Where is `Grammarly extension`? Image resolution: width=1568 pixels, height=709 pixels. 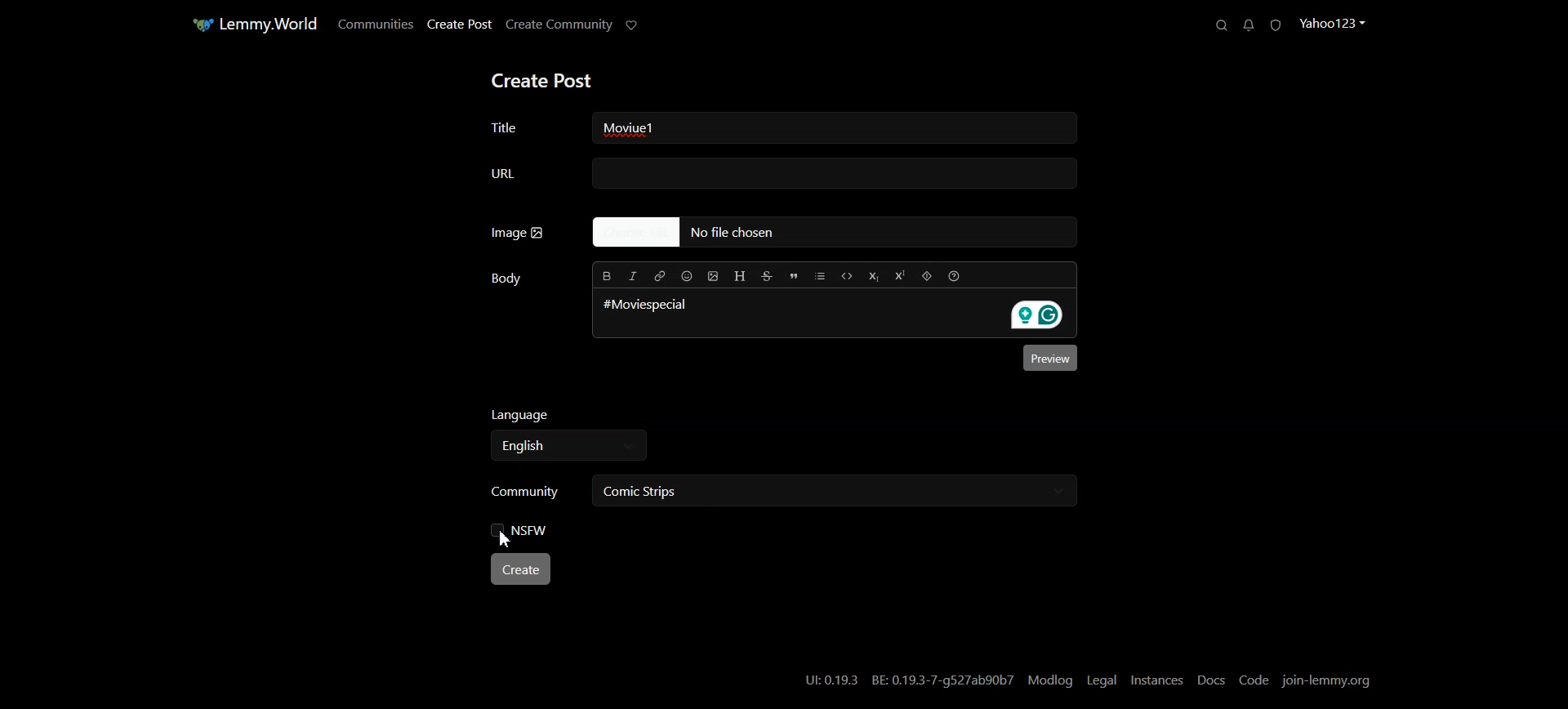 Grammarly extension is located at coordinates (1040, 316).